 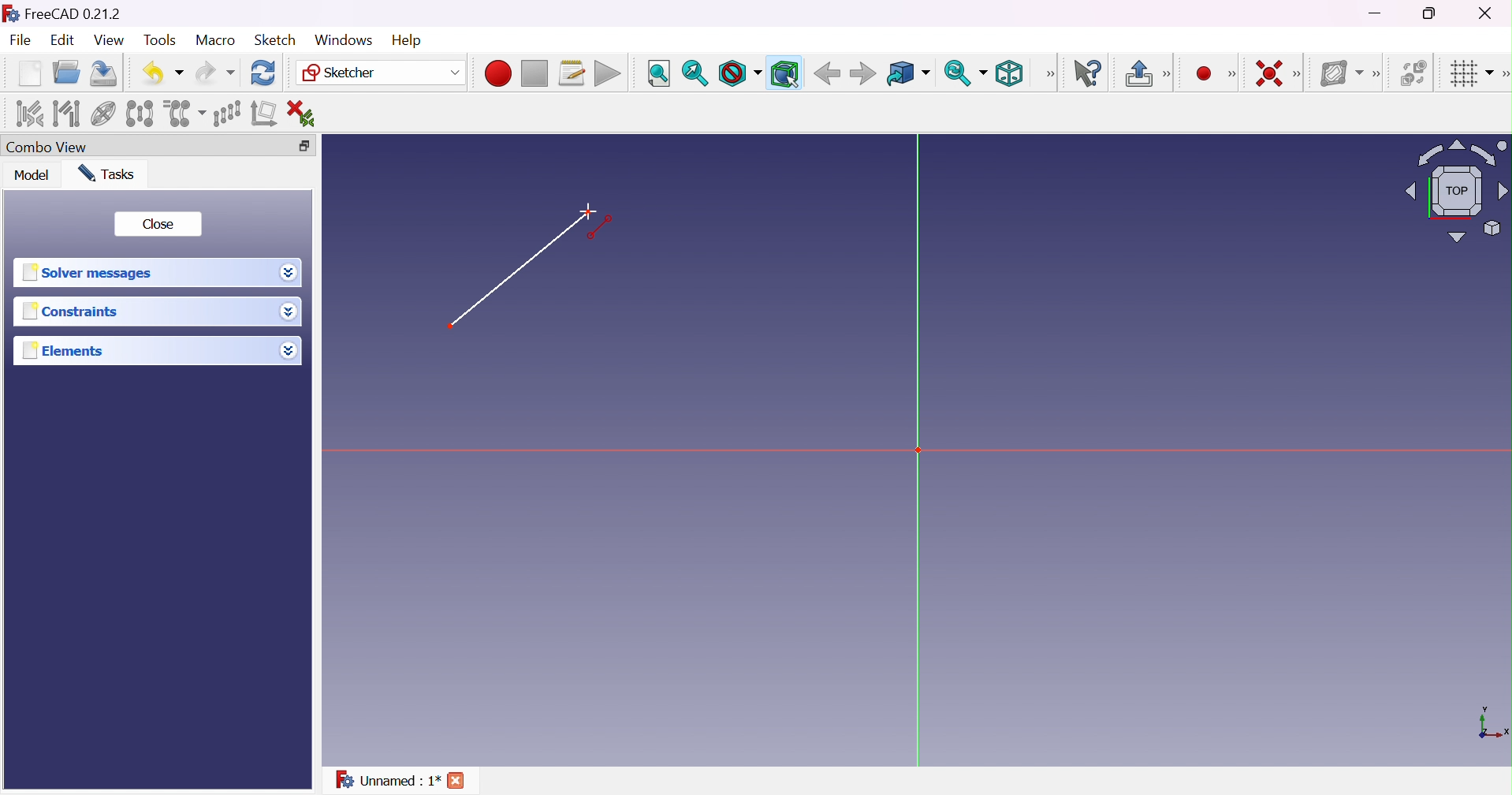 What do you see at coordinates (66, 114) in the screenshot?
I see `Select associated geometry` at bounding box center [66, 114].